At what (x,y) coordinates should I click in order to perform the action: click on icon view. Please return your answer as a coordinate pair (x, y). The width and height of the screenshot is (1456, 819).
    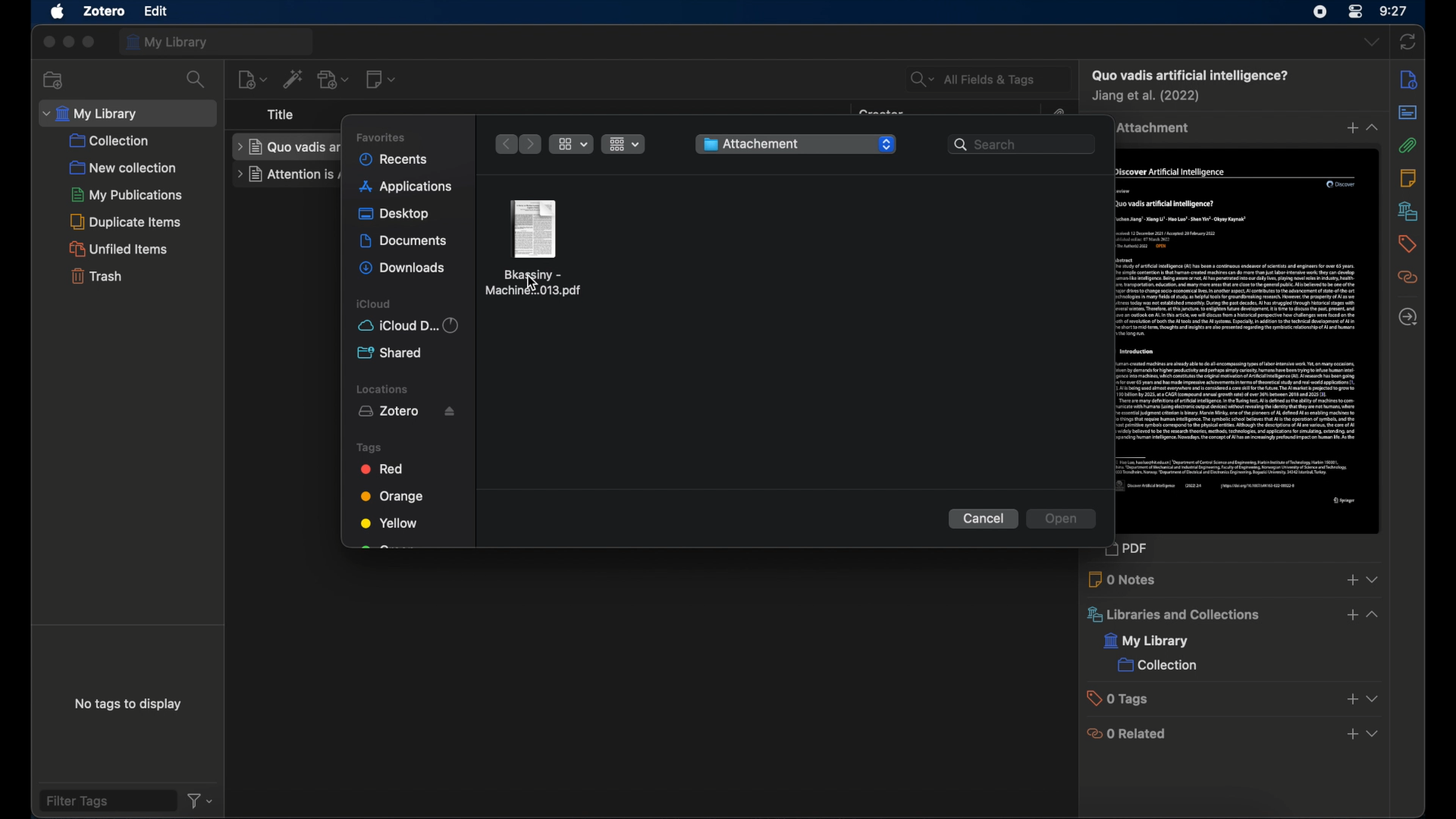
    Looking at the image, I should click on (571, 144).